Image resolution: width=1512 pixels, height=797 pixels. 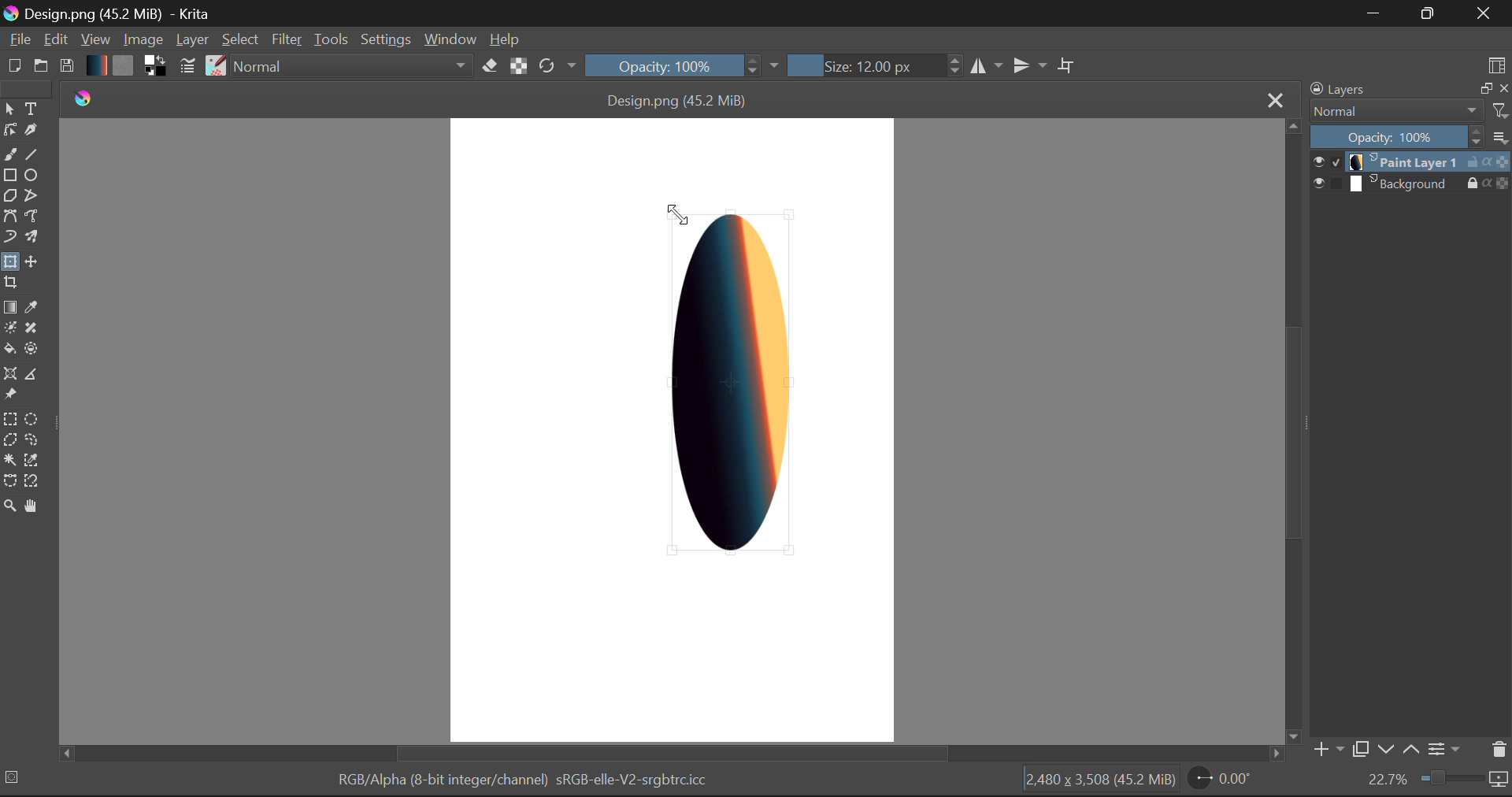 I want to click on Paint Layer, so click(x=1411, y=162).